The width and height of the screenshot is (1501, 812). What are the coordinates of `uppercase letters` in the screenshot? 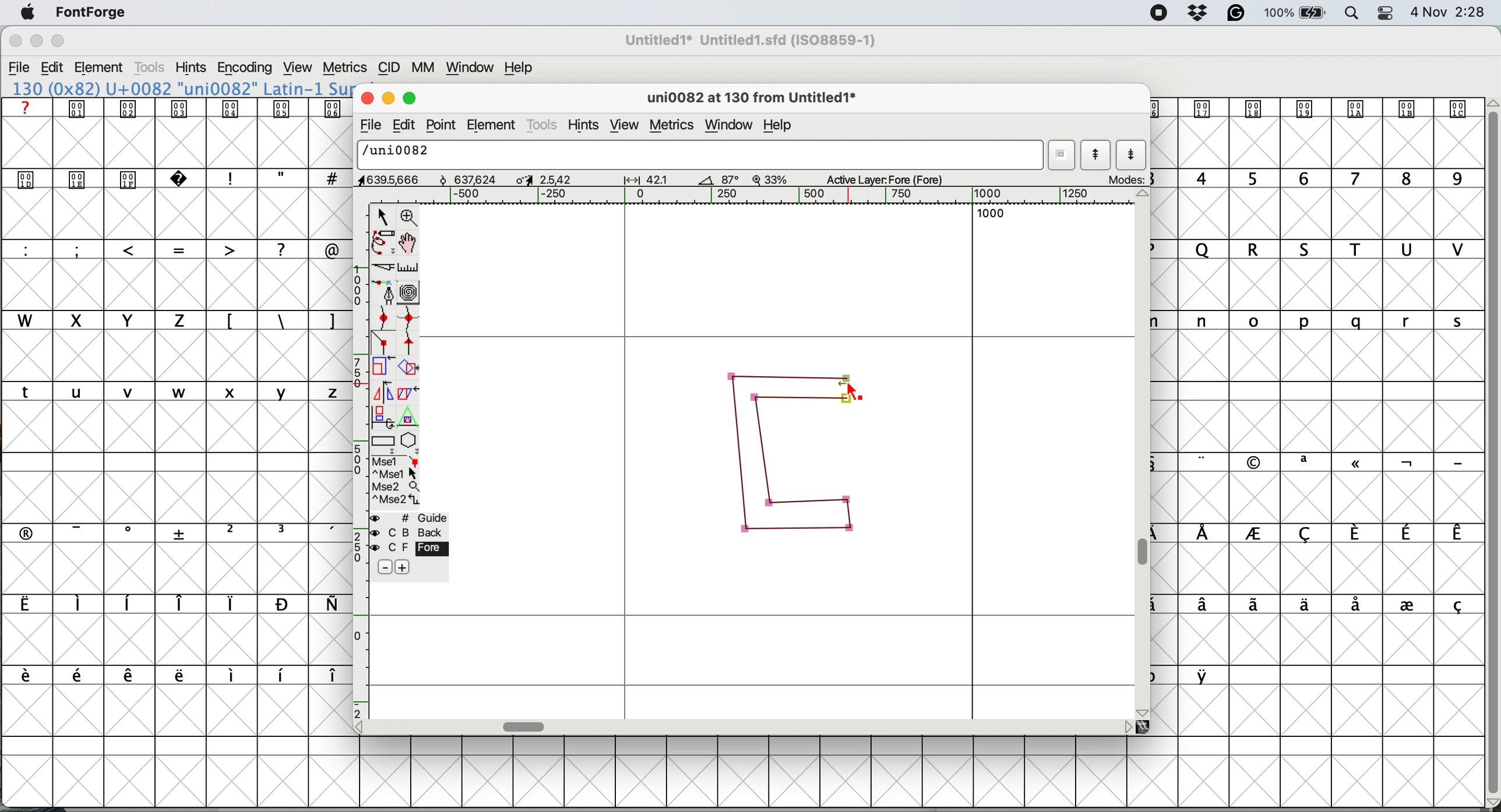 It's located at (103, 320).